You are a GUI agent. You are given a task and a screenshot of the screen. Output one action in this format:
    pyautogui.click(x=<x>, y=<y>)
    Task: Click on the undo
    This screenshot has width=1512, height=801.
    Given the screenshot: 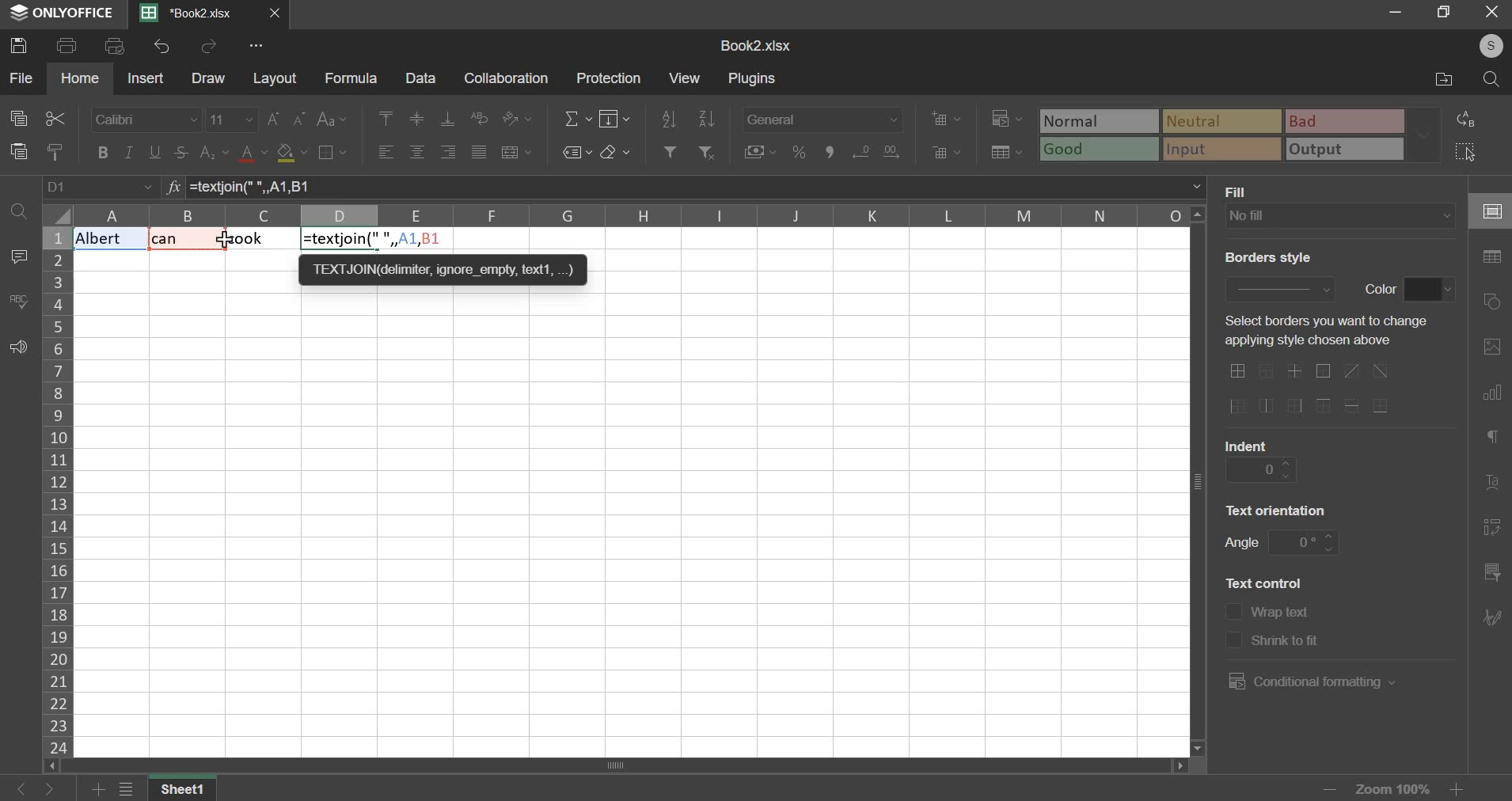 What is the action you would take?
    pyautogui.click(x=161, y=46)
    